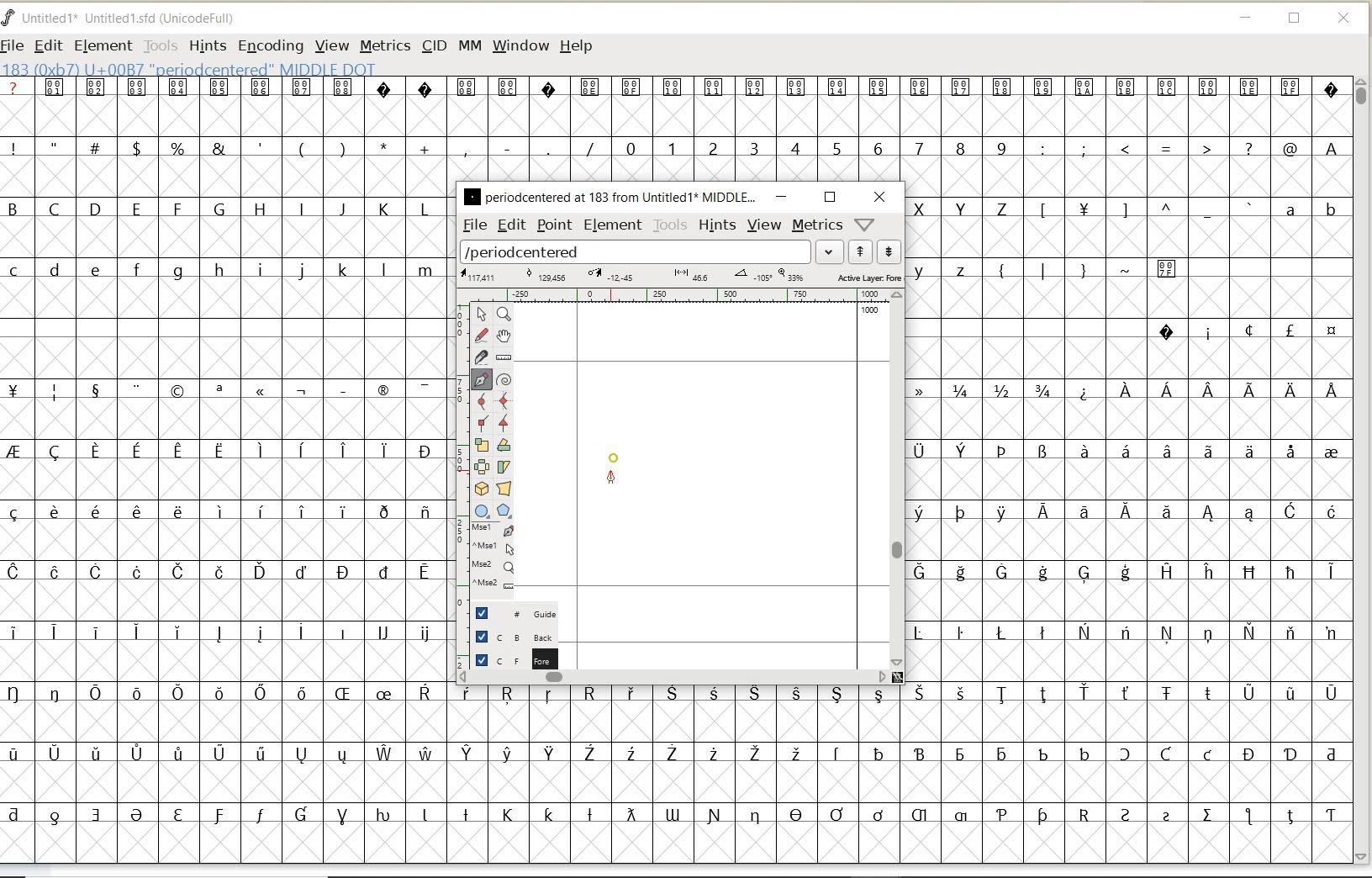  I want to click on background, so click(509, 637).